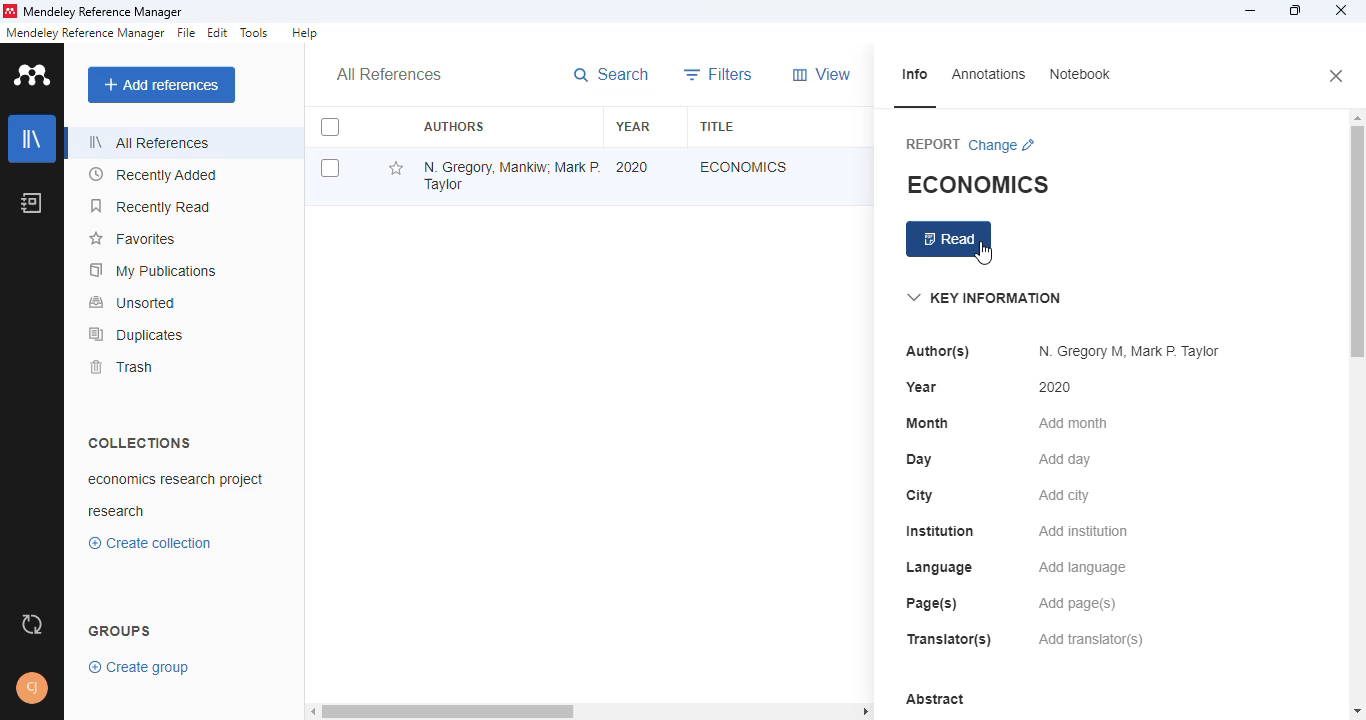 Image resolution: width=1366 pixels, height=720 pixels. What do you see at coordinates (1295, 10) in the screenshot?
I see `maximize` at bounding box center [1295, 10].